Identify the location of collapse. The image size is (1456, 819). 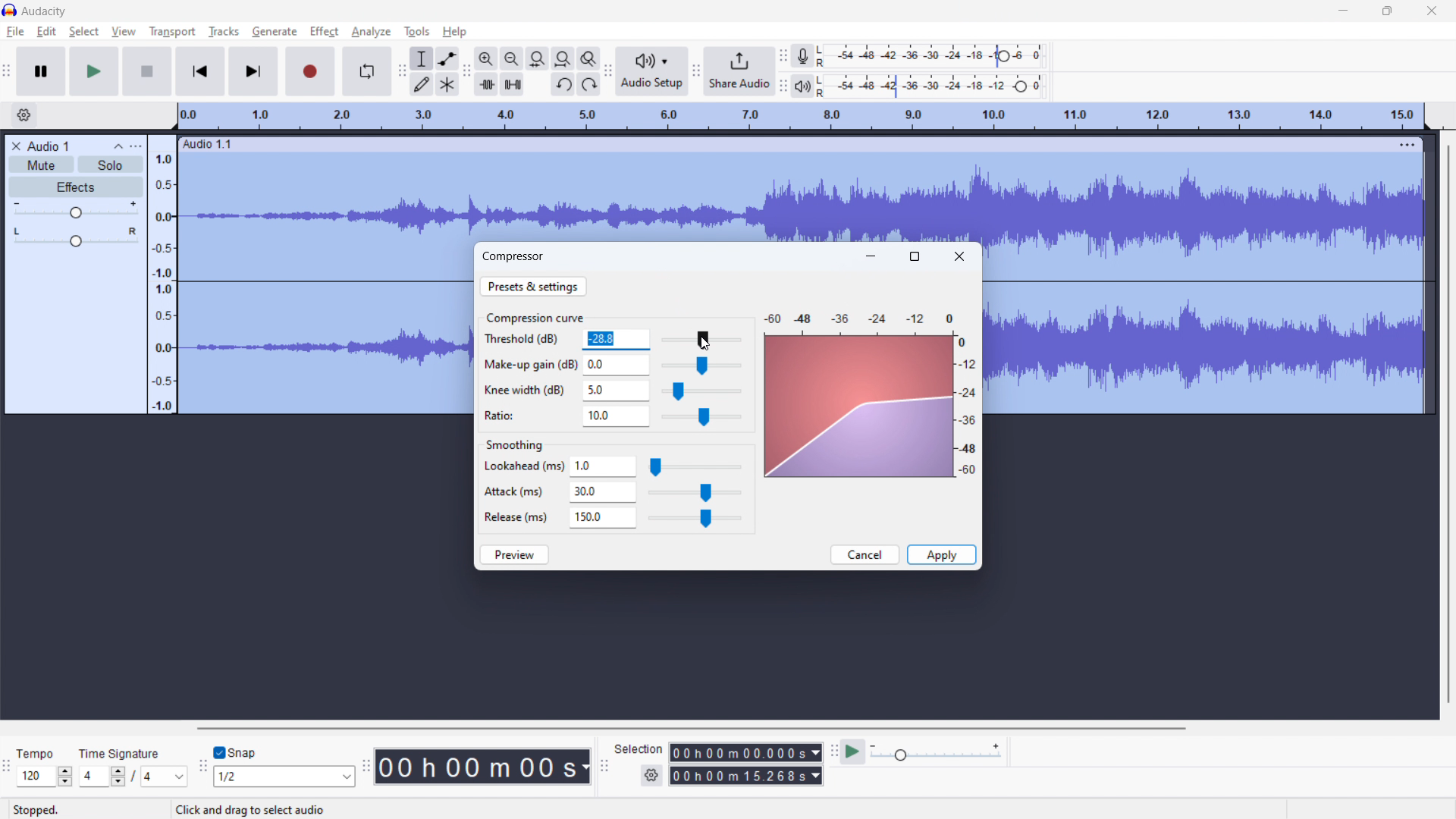
(116, 146).